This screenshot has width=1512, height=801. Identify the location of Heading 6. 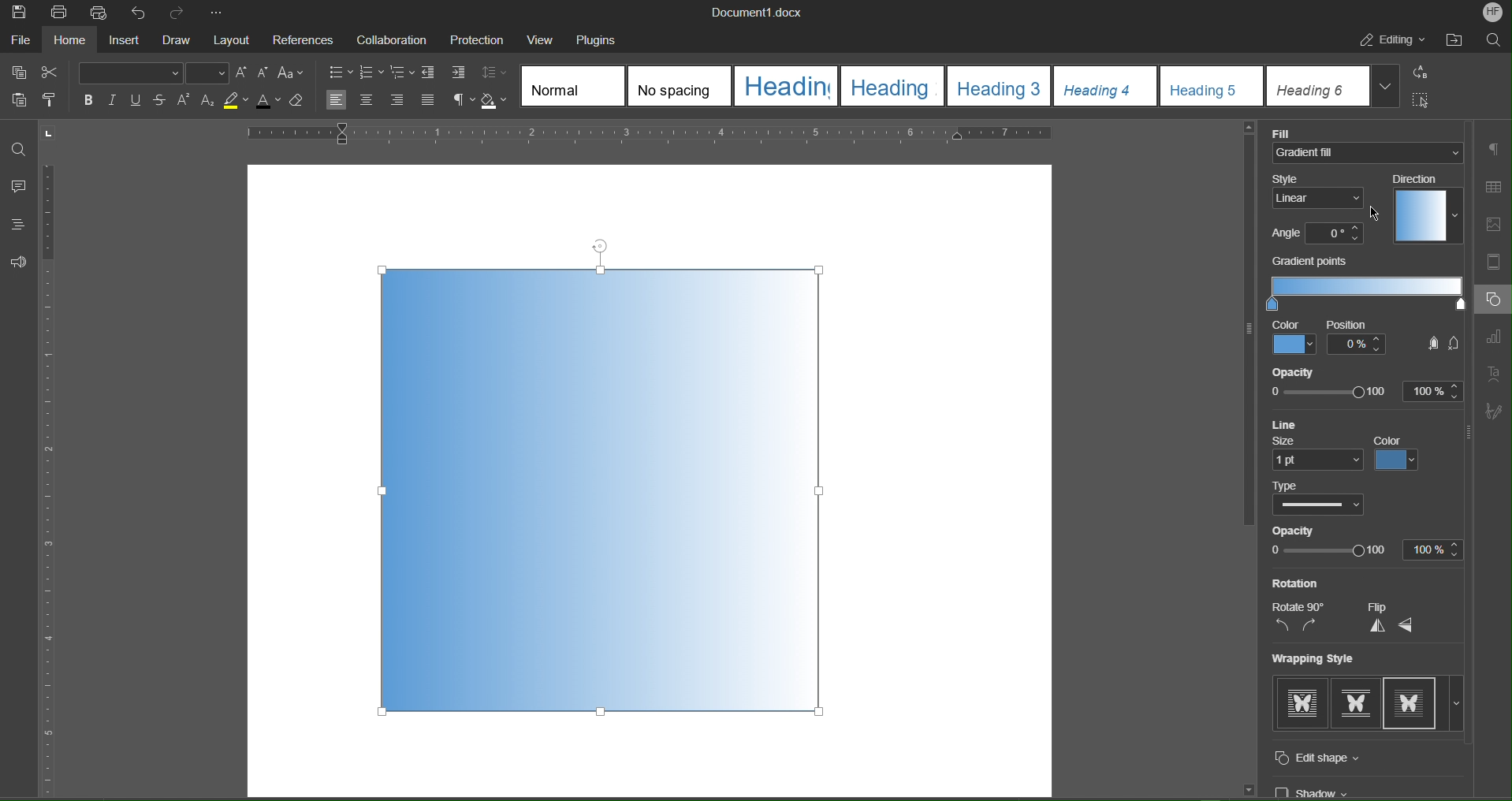
(1318, 87).